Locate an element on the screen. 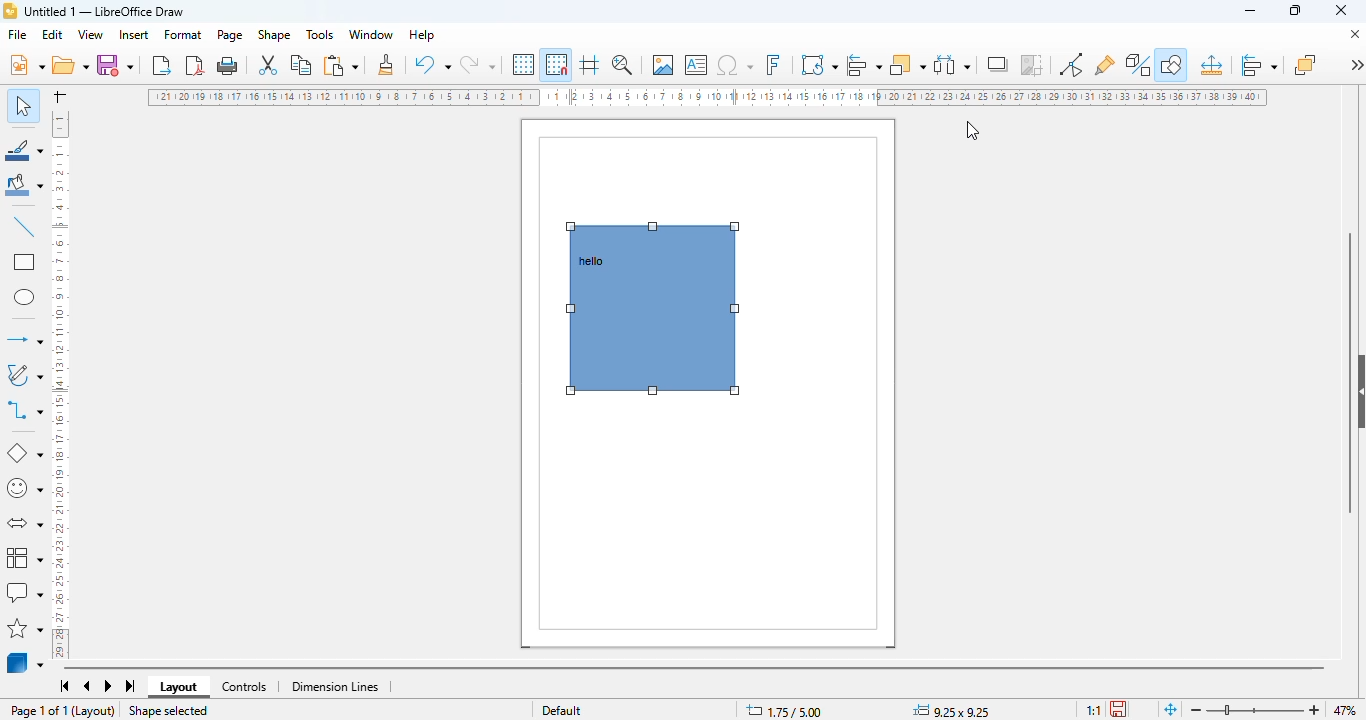 This screenshot has width=1366, height=720. ruler is located at coordinates (709, 98).